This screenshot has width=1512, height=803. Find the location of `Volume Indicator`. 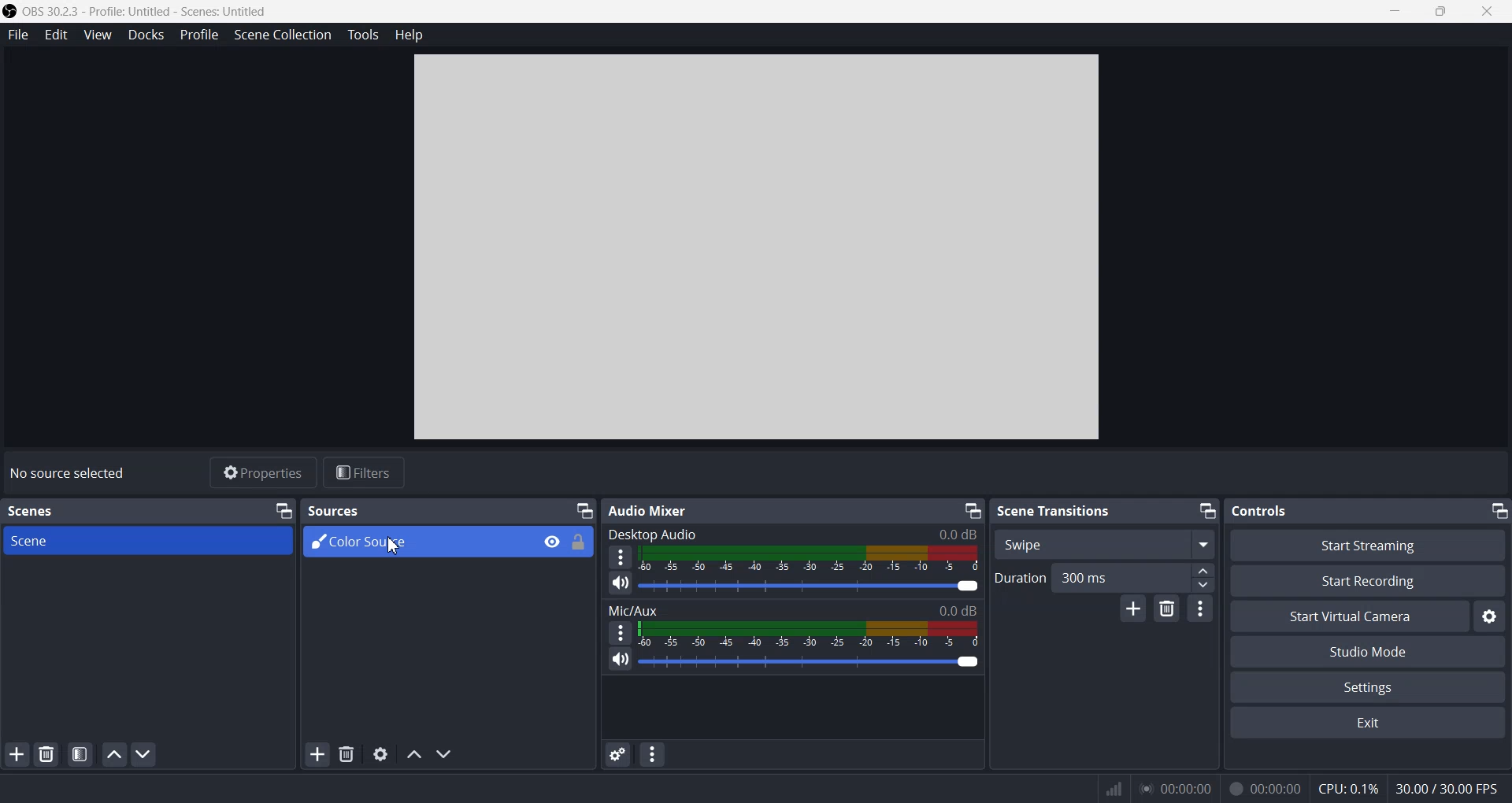

Volume Indicator is located at coordinates (810, 634).